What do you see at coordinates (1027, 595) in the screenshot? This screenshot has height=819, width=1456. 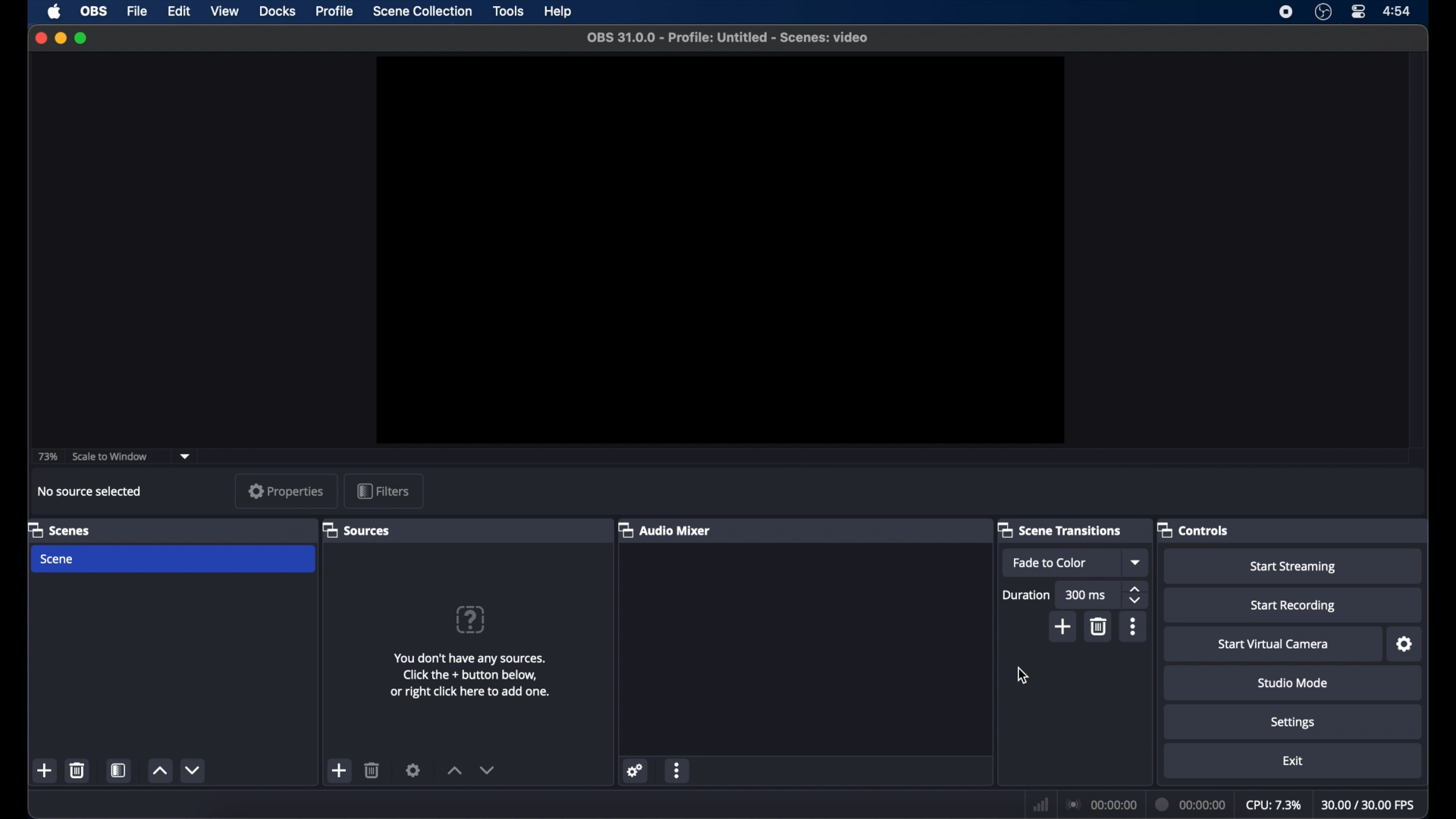 I see `duration` at bounding box center [1027, 595].